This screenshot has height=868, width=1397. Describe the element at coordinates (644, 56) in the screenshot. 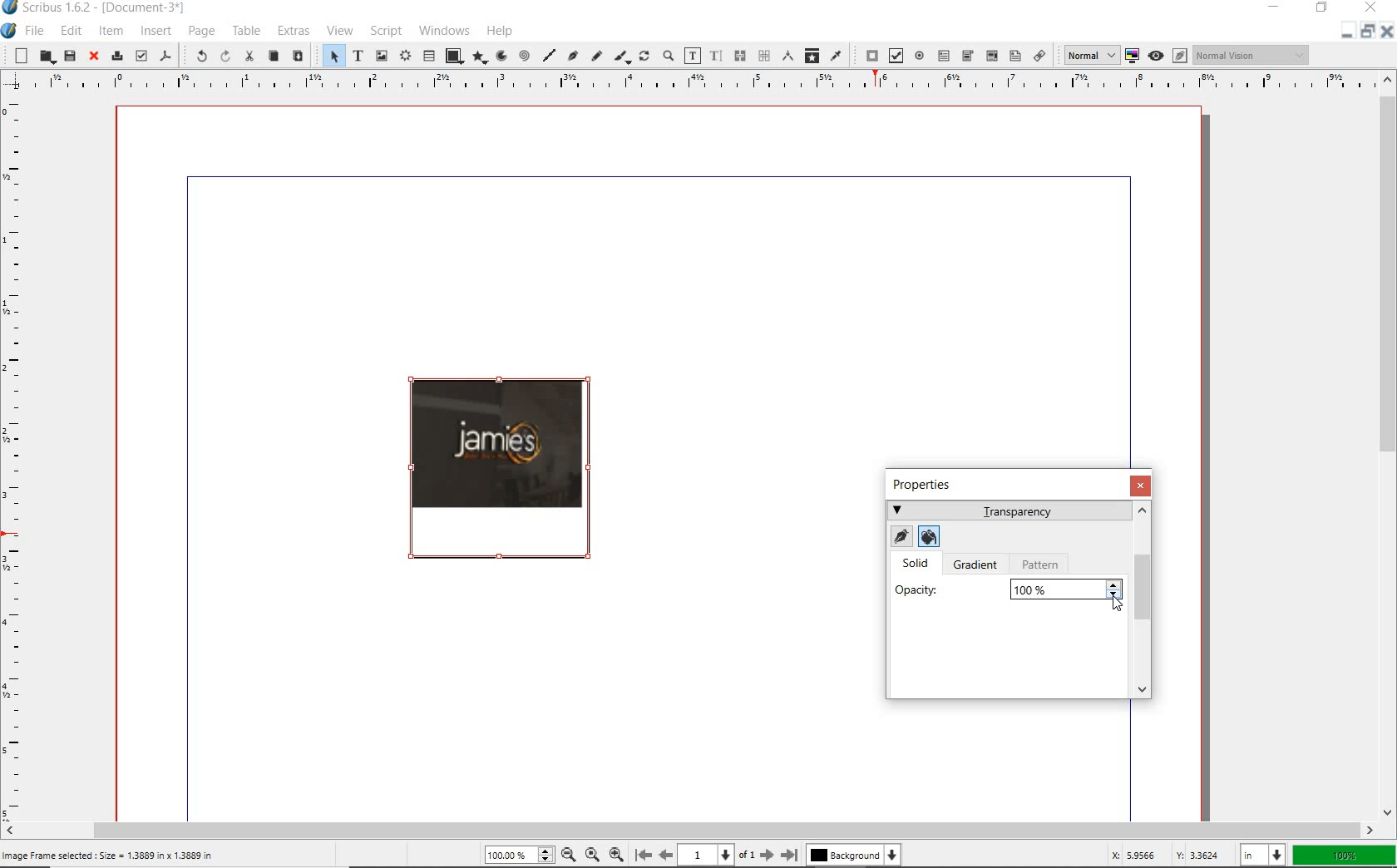

I see `rotate item` at that location.